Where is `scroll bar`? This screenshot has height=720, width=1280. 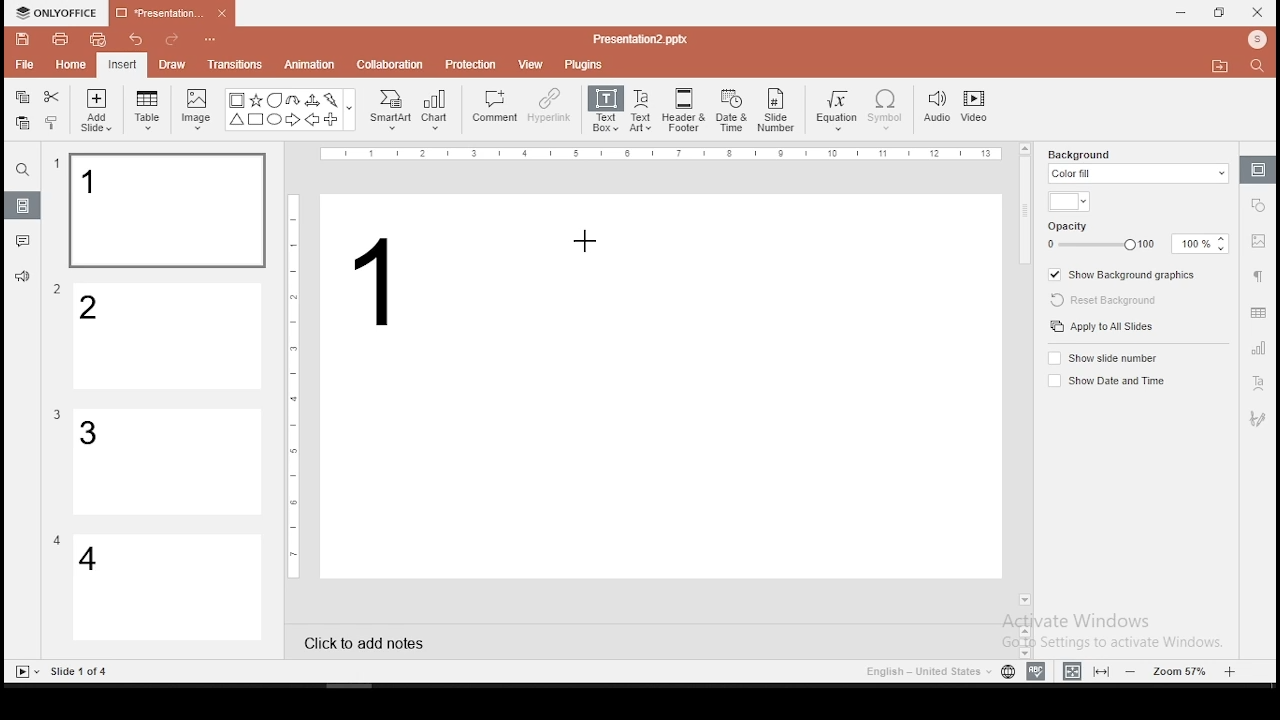
scroll bar is located at coordinates (1026, 373).